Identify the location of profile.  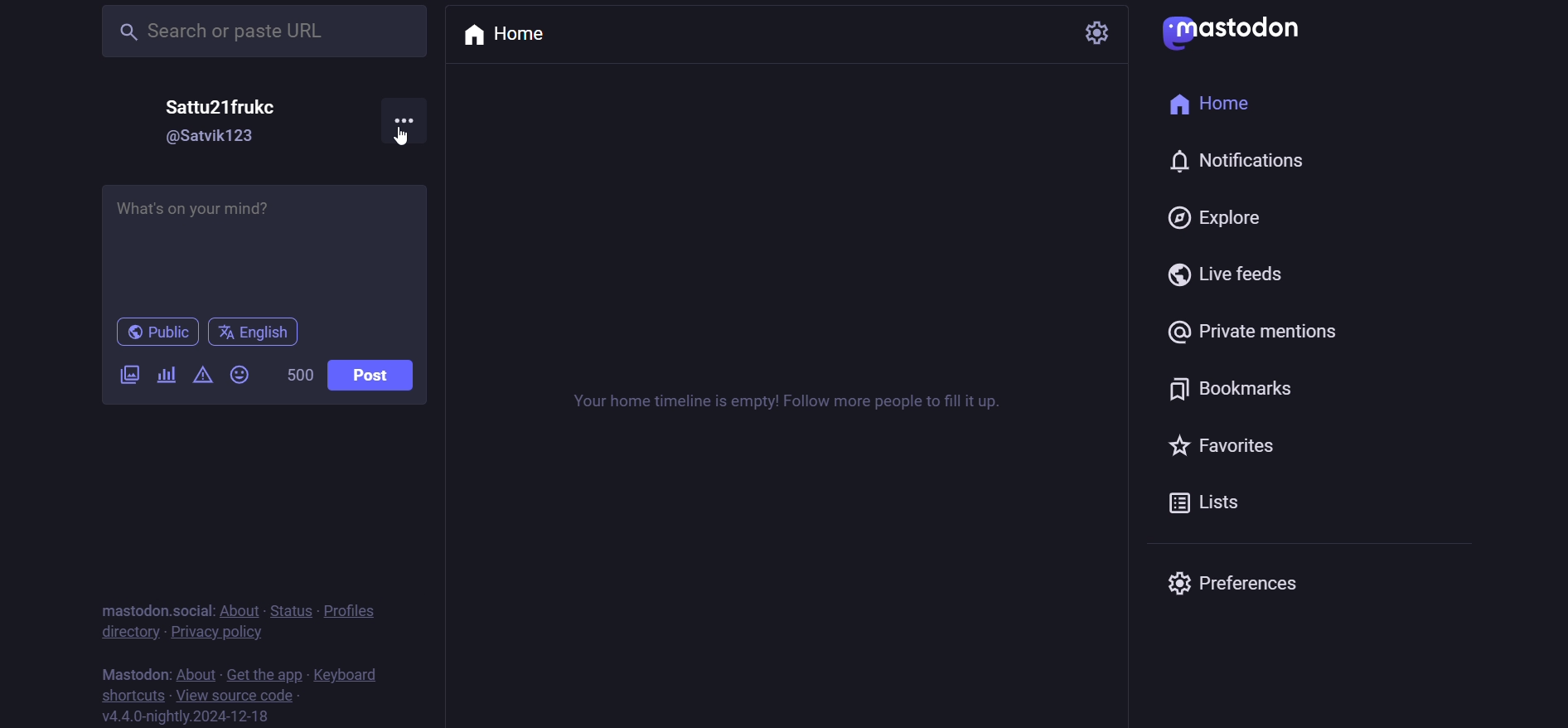
(351, 609).